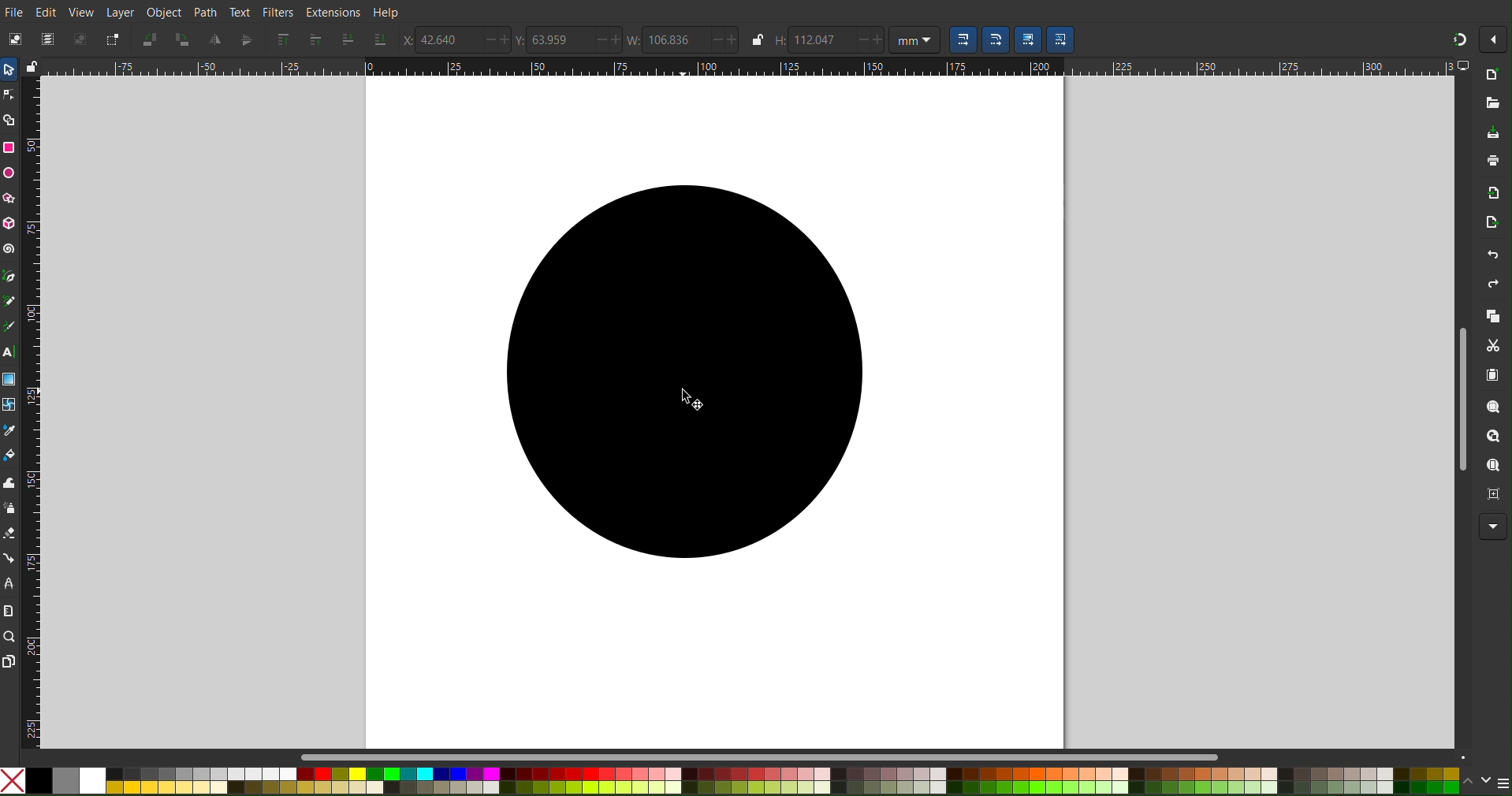 Image resolution: width=1512 pixels, height=796 pixels. Describe the element at coordinates (318, 41) in the screenshot. I see `Send one layer up` at that location.